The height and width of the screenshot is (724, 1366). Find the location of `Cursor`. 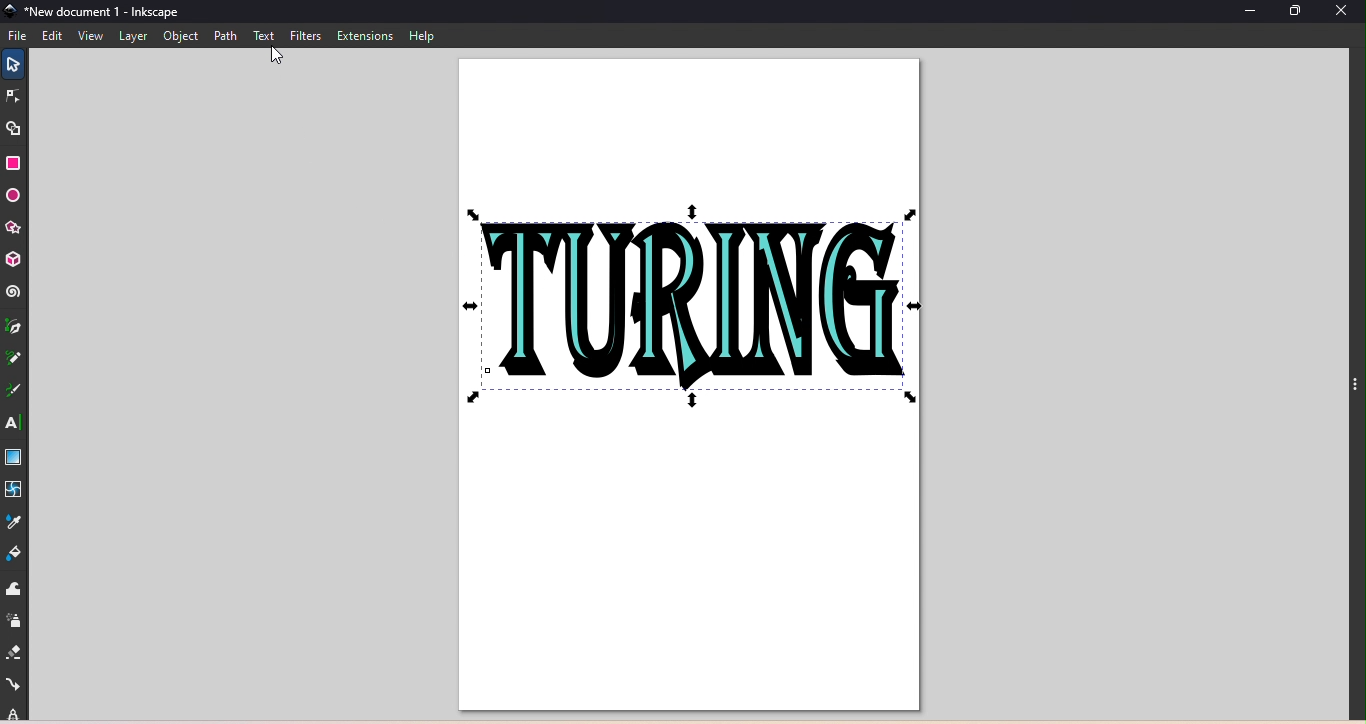

Cursor is located at coordinates (278, 59).